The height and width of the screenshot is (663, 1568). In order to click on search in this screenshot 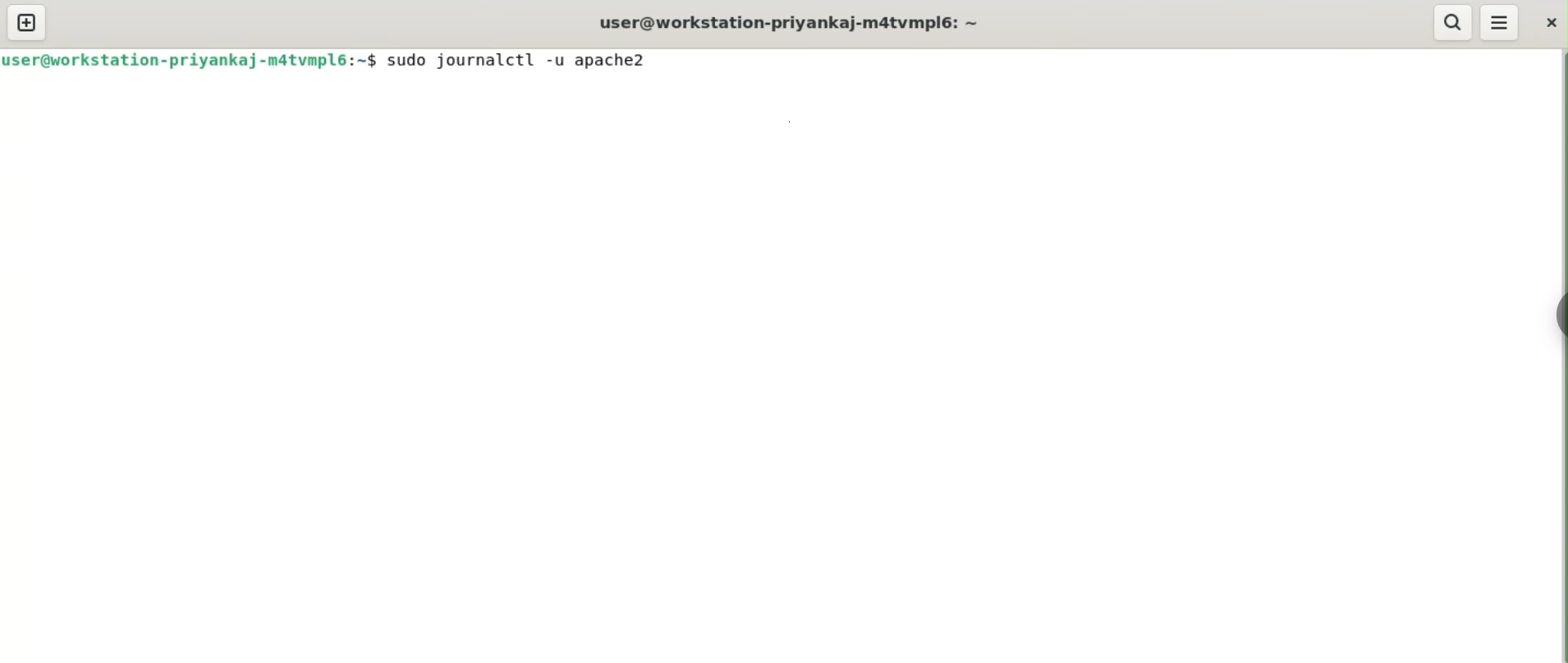, I will do `click(1453, 22)`.